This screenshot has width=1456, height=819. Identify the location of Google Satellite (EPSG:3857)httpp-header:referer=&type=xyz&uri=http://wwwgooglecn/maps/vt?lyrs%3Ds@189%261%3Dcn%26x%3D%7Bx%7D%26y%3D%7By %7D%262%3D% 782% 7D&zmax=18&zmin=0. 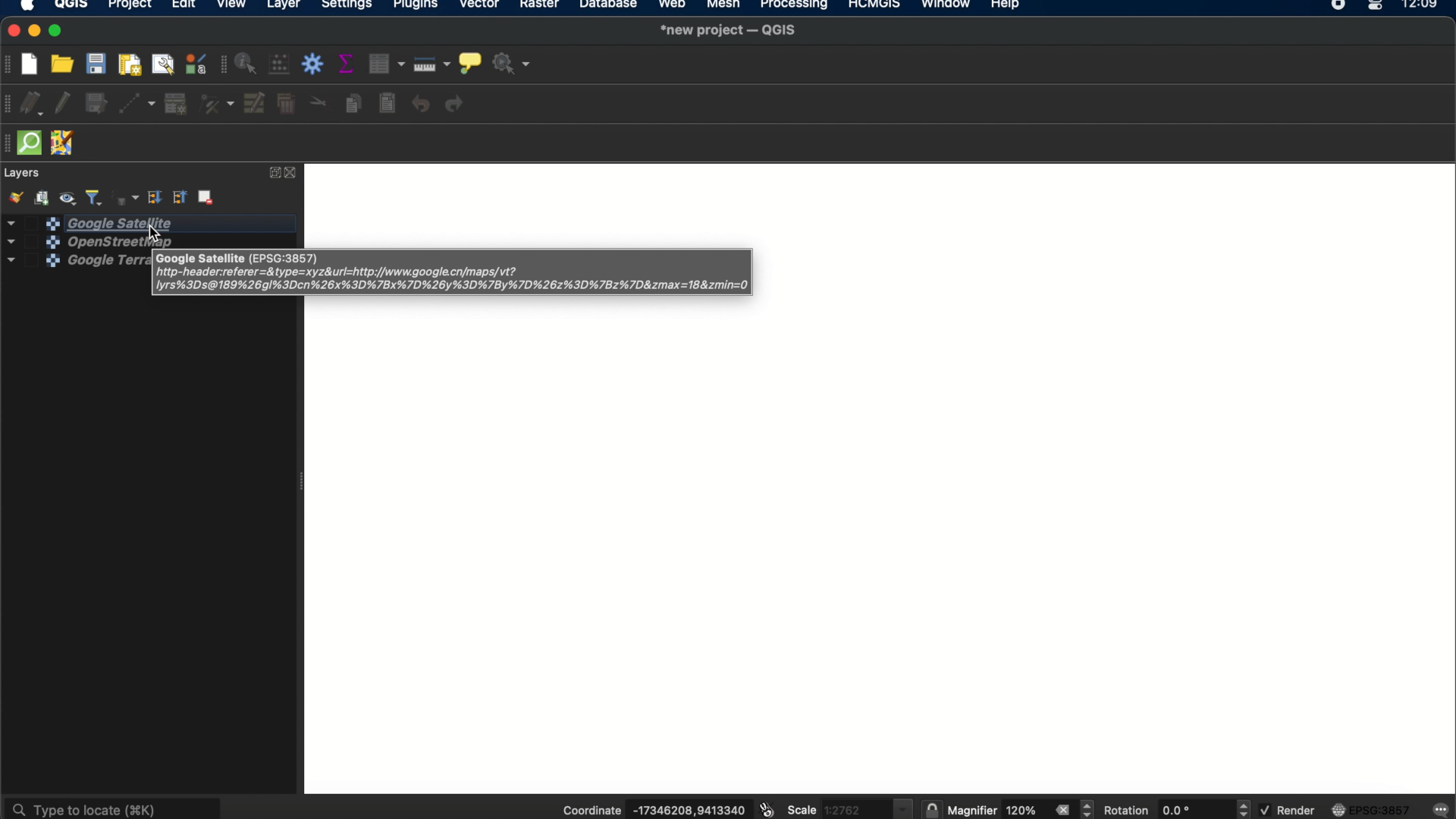
(457, 273).